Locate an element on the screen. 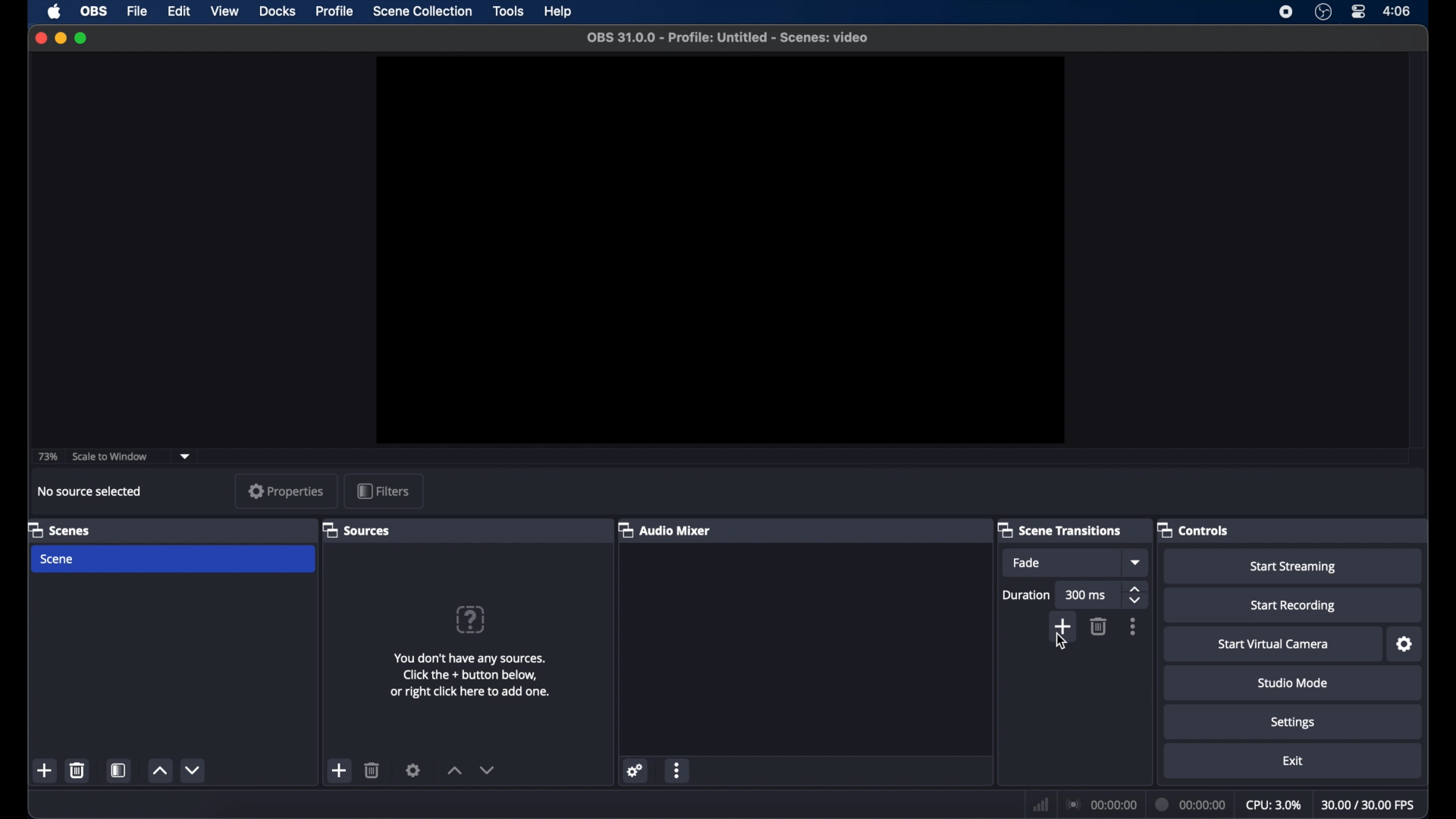 This screenshot has width=1456, height=819. sources is located at coordinates (358, 531).